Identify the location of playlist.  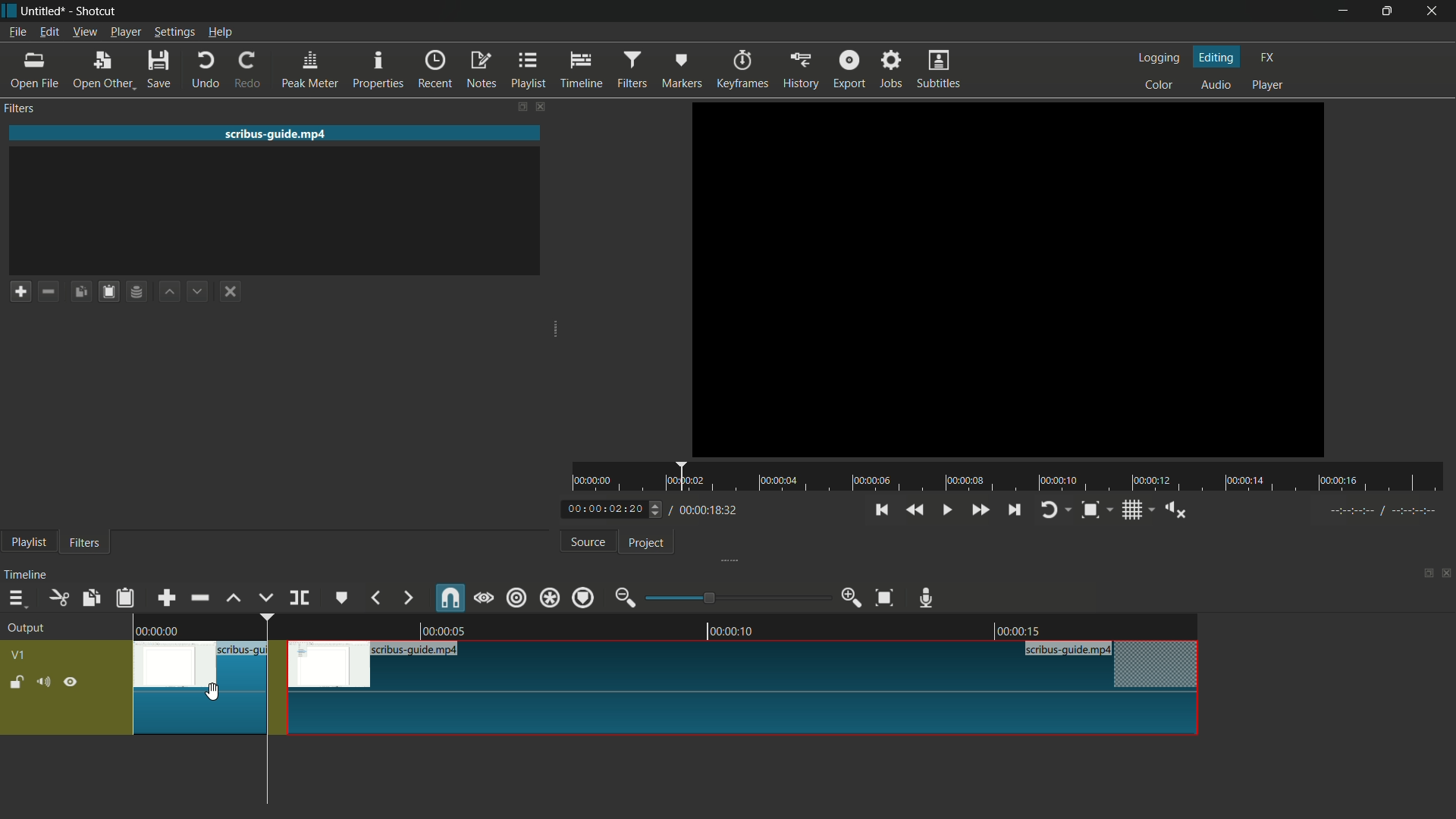
(26, 543).